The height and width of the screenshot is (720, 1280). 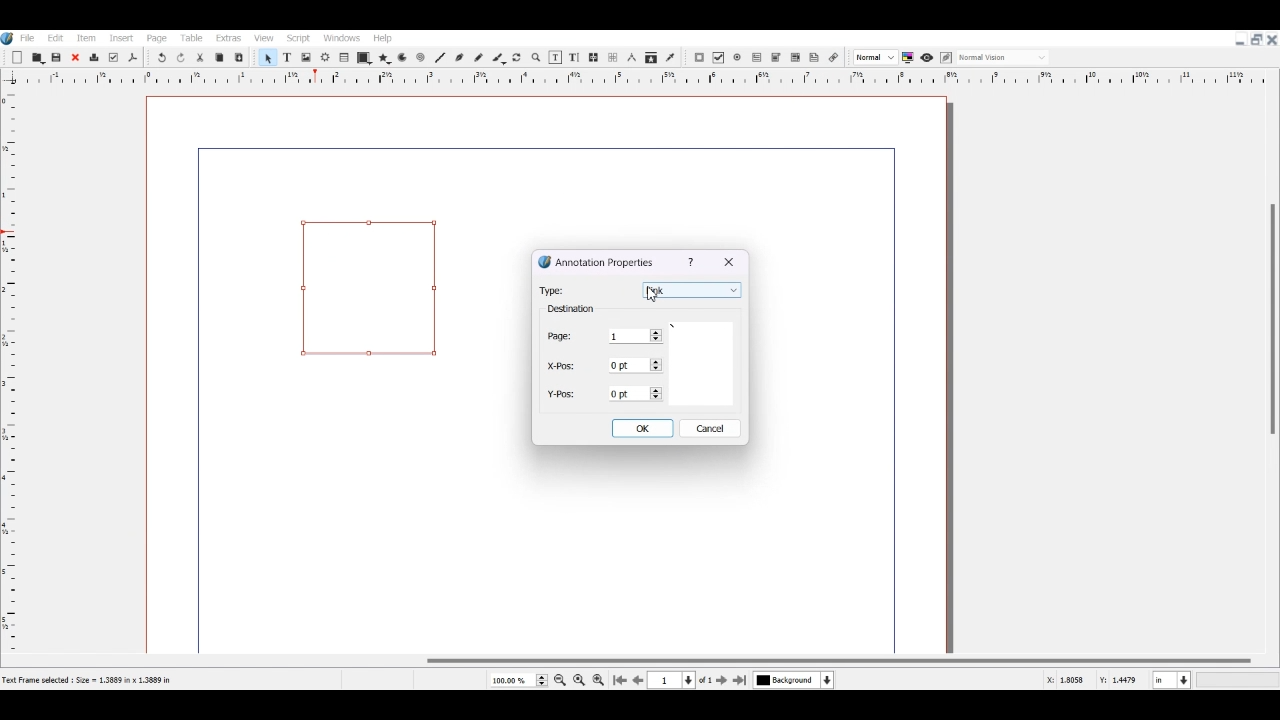 I want to click on Delete, so click(x=93, y=58).